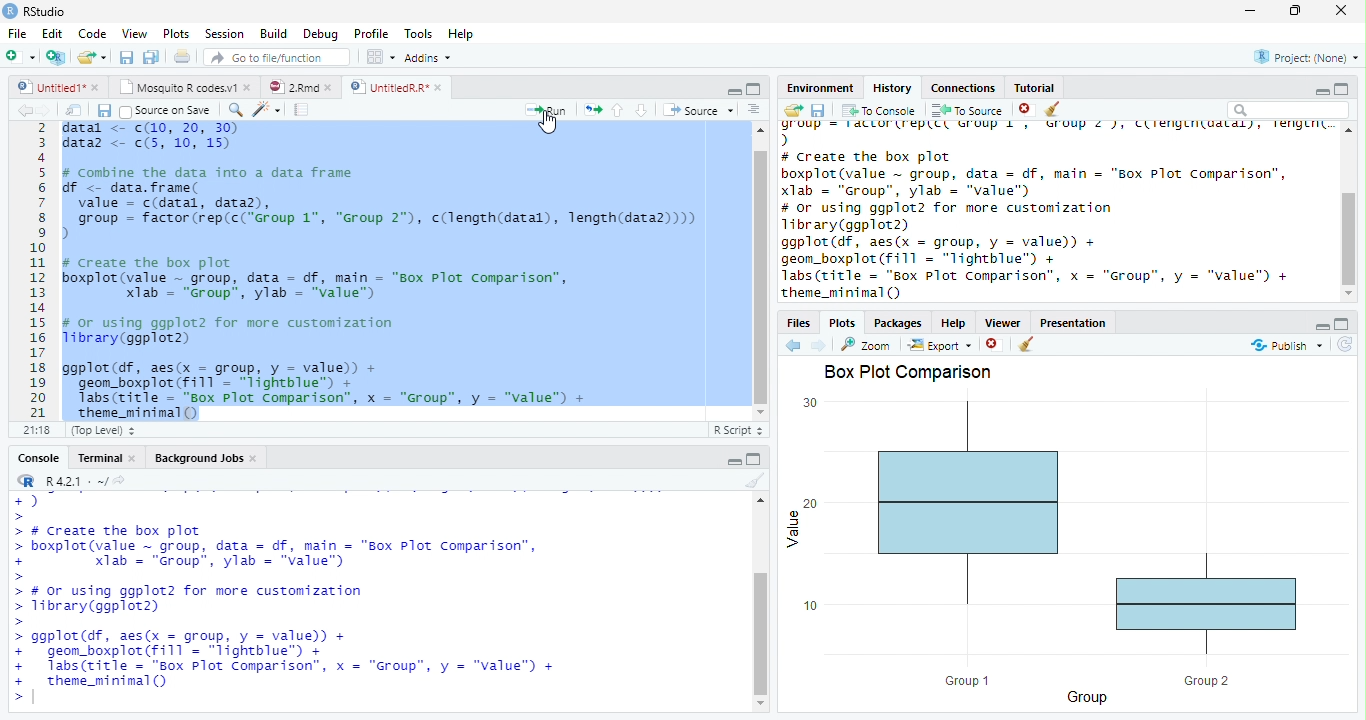 The height and width of the screenshot is (720, 1366). I want to click on cursor, so click(550, 123).